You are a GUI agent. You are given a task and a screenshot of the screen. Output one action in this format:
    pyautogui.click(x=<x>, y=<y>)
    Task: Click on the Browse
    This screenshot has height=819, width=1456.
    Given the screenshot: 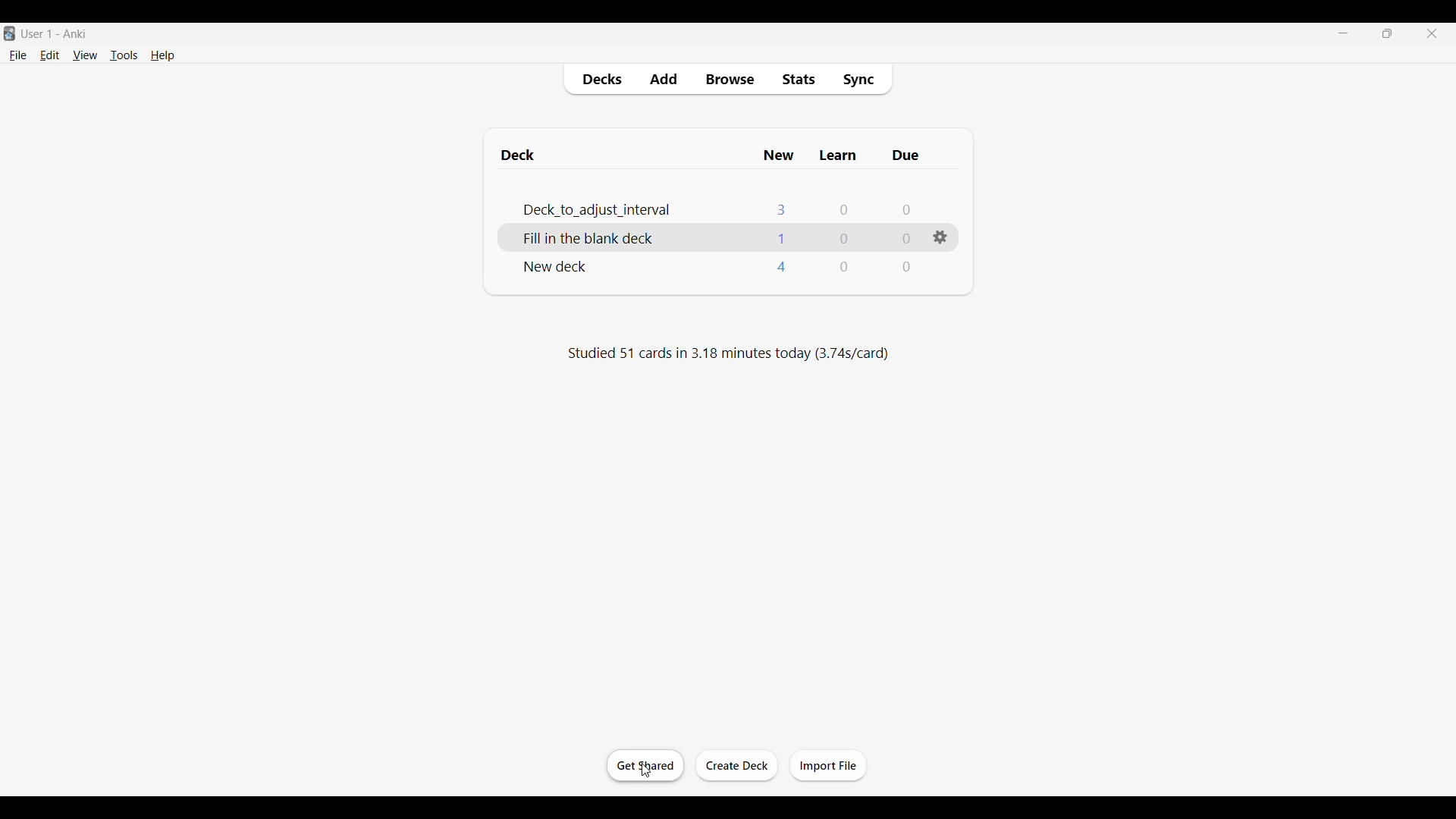 What is the action you would take?
    pyautogui.click(x=730, y=79)
    